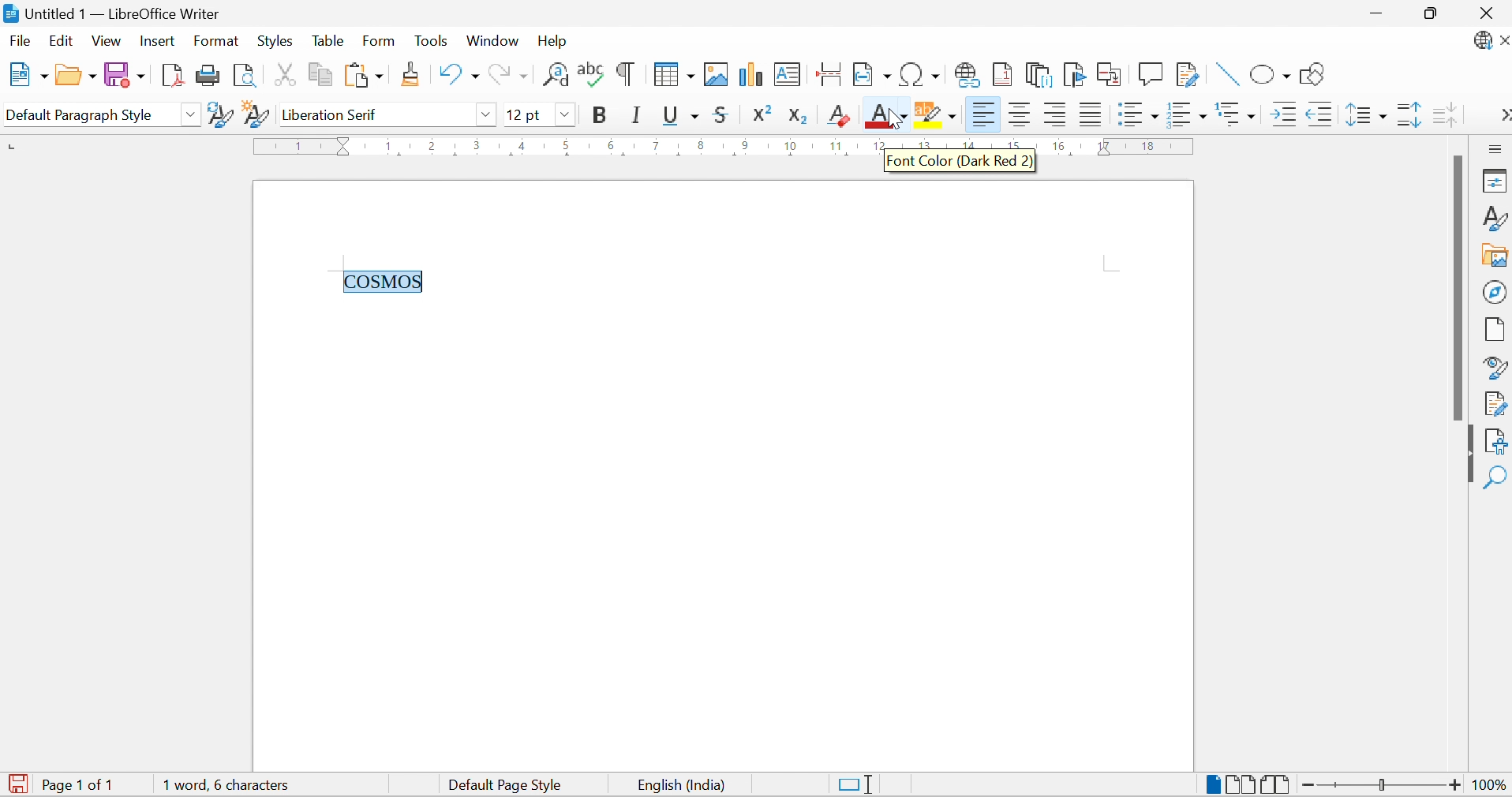  I want to click on Liberation Serif, so click(335, 115).